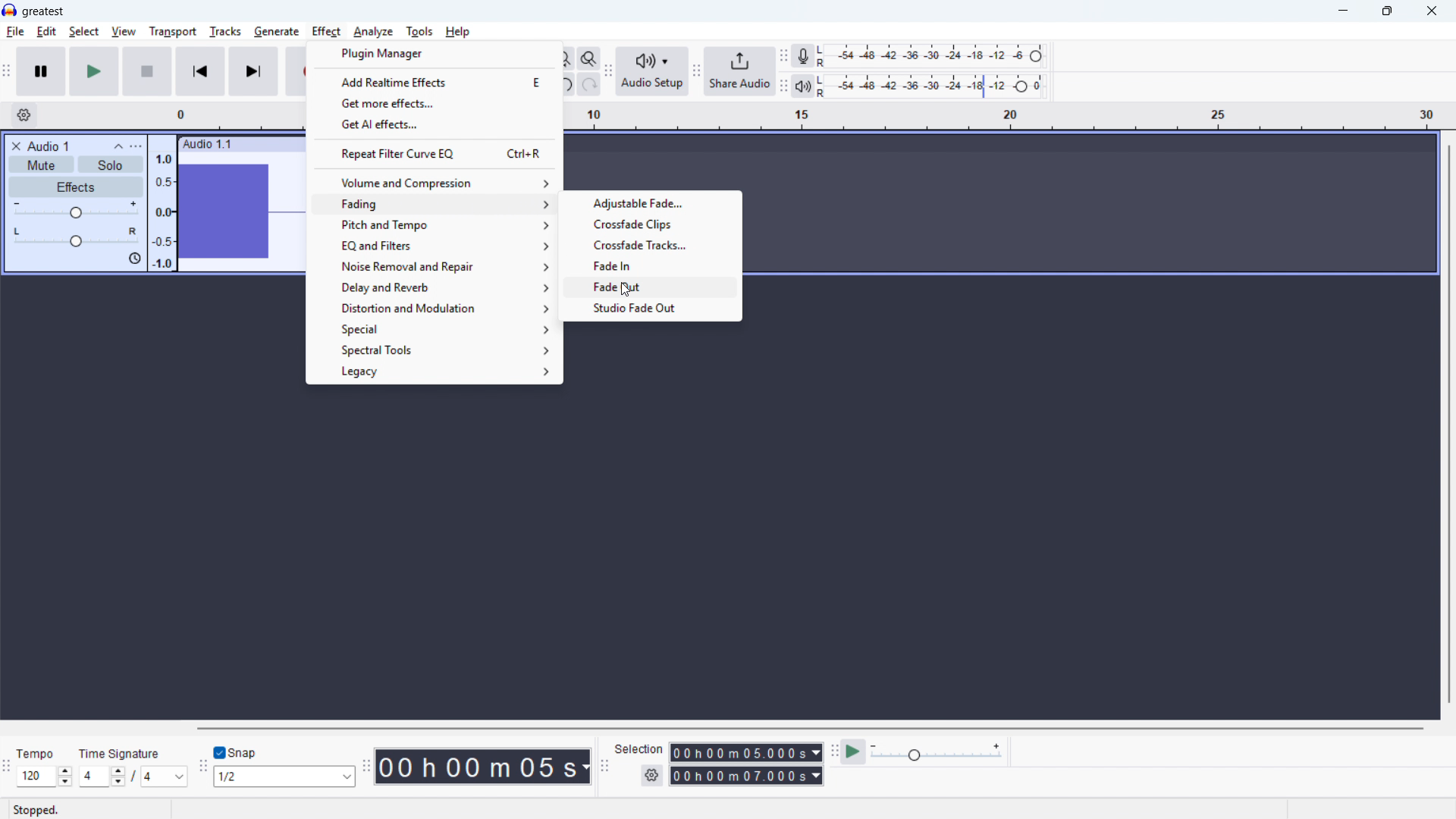 This screenshot has width=1456, height=819. Describe the element at coordinates (783, 87) in the screenshot. I see `Playback metre toolbar ` at that location.